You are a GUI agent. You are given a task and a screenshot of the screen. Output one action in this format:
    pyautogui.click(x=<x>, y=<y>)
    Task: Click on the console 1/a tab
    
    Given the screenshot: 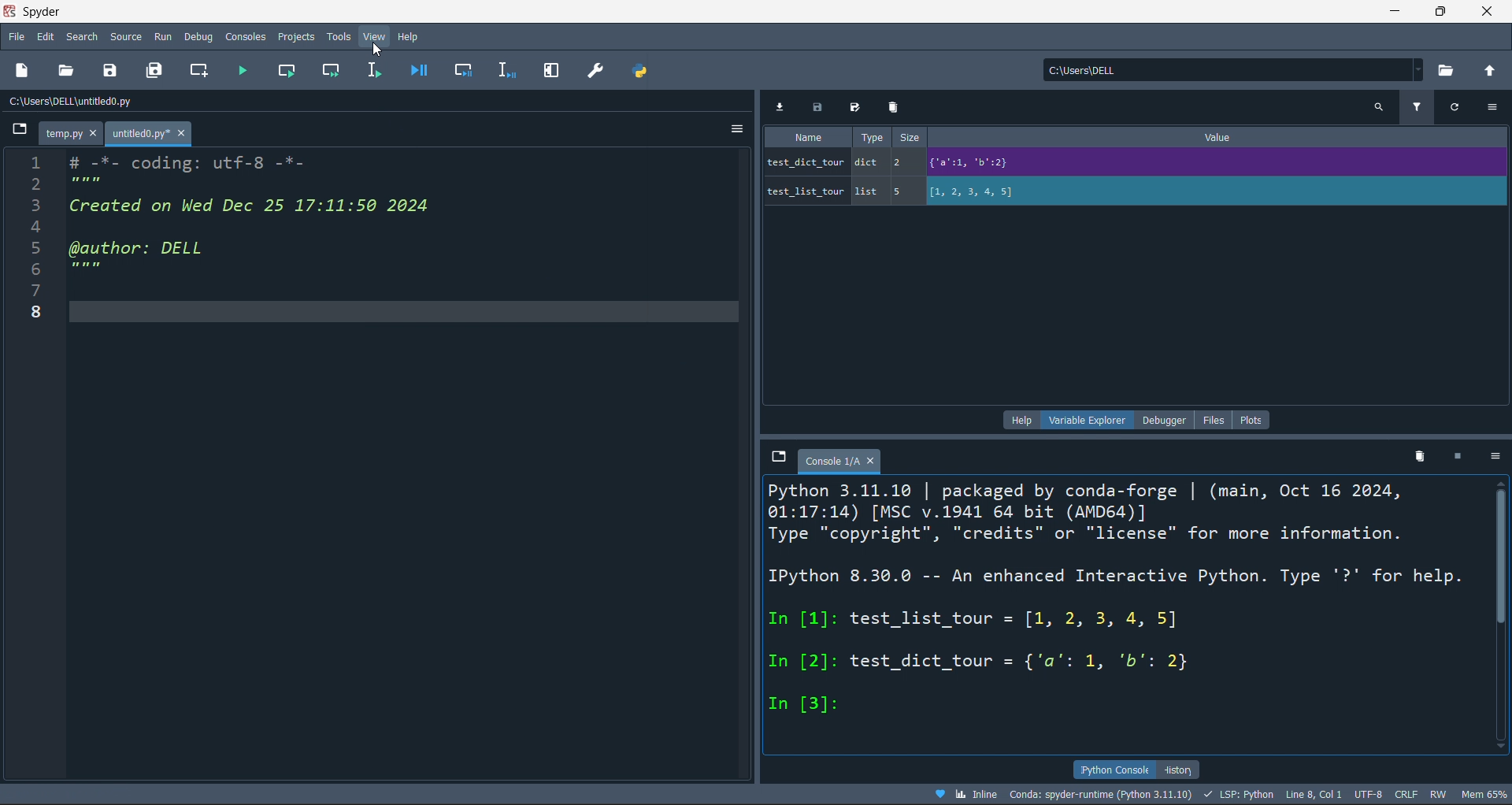 What is the action you would take?
    pyautogui.click(x=844, y=459)
    